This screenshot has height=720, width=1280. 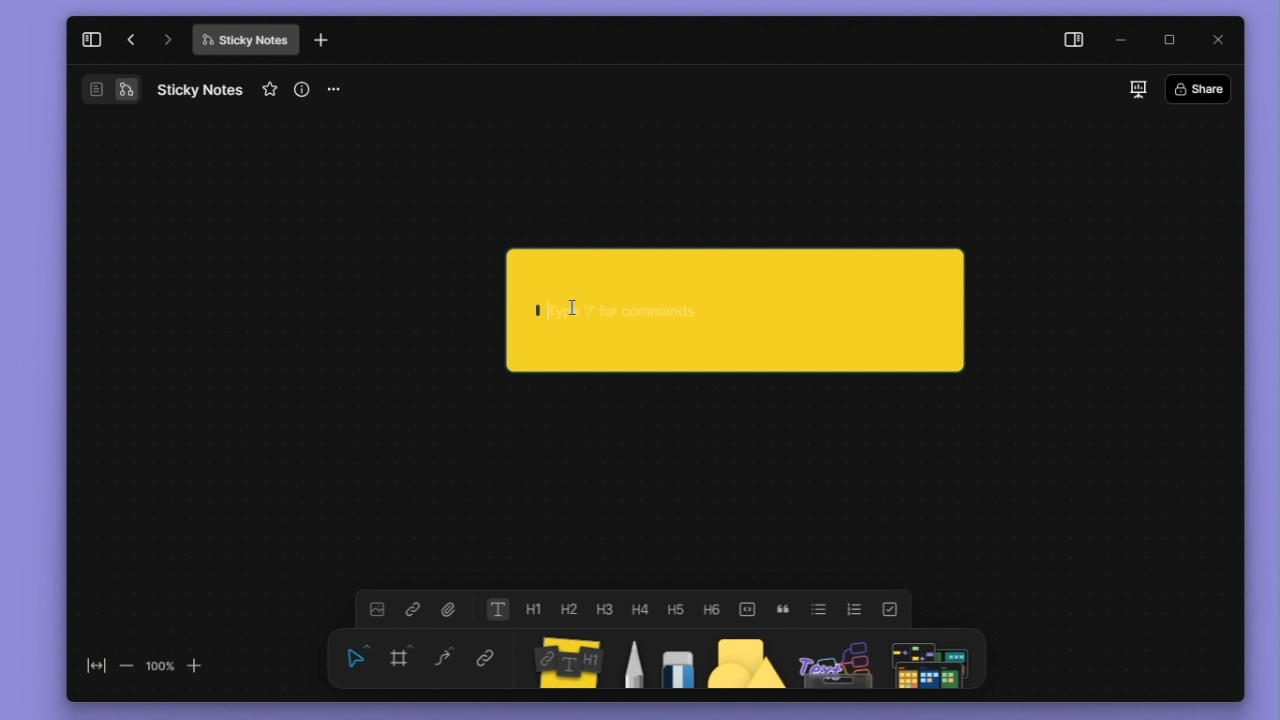 What do you see at coordinates (564, 659) in the screenshot?
I see `Sticky notes` at bounding box center [564, 659].